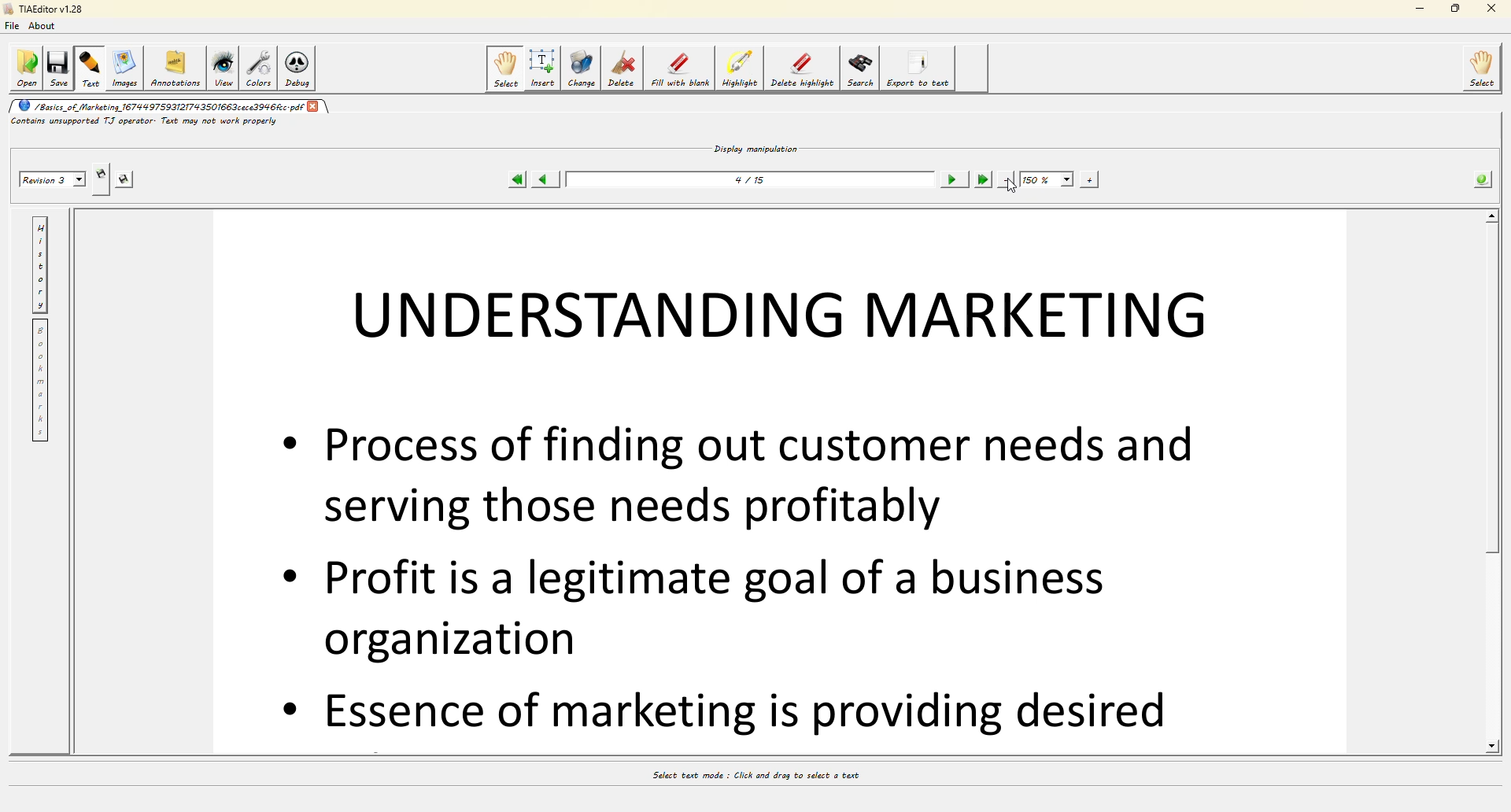 The width and height of the screenshot is (1511, 812). Describe the element at coordinates (740, 69) in the screenshot. I see `highlights` at that location.